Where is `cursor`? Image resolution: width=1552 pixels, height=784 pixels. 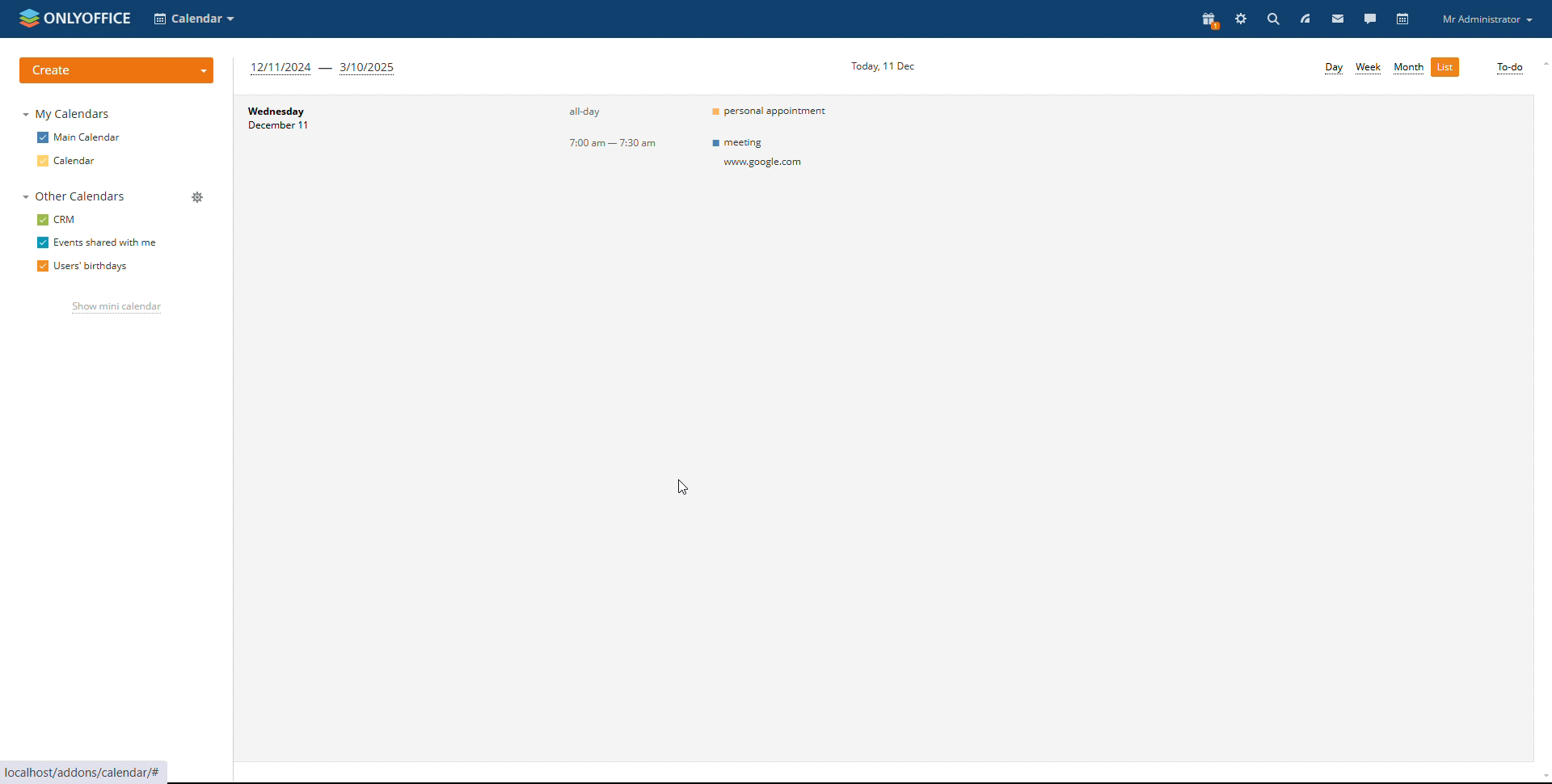
cursor is located at coordinates (683, 488).